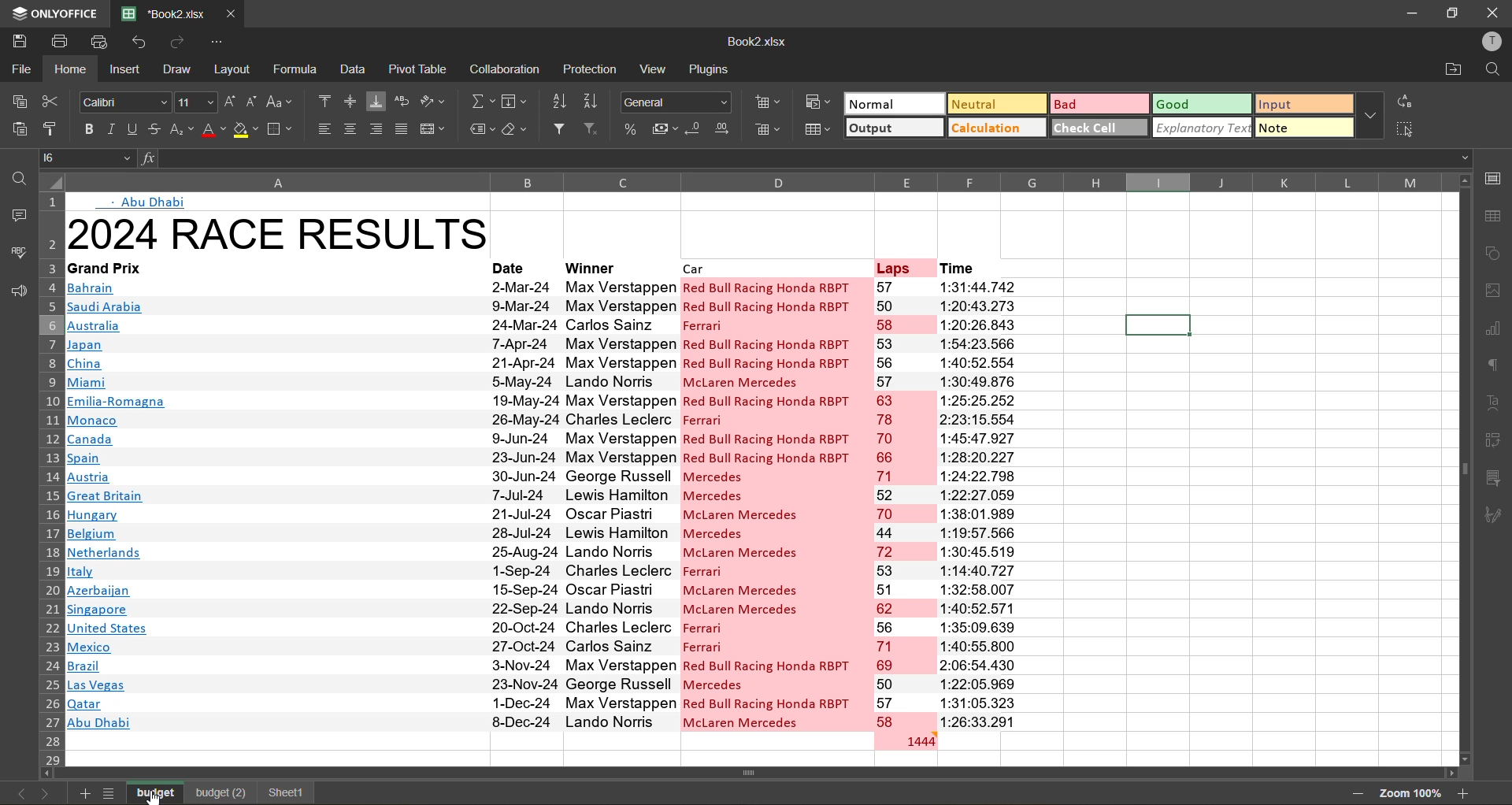 This screenshot has height=805, width=1512. I want to click on decrement size, so click(254, 102).